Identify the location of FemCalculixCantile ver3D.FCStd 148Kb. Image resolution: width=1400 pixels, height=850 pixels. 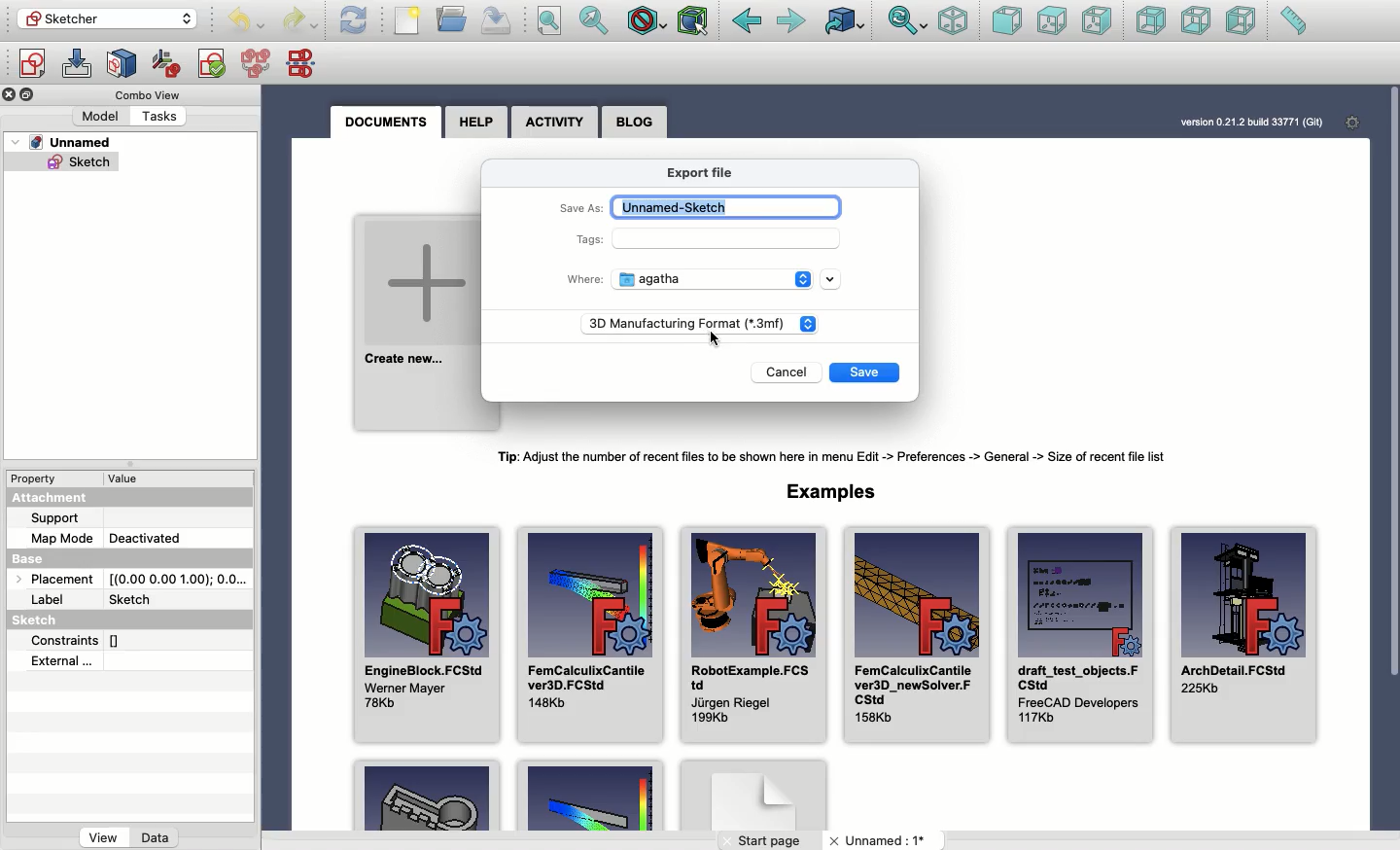
(591, 635).